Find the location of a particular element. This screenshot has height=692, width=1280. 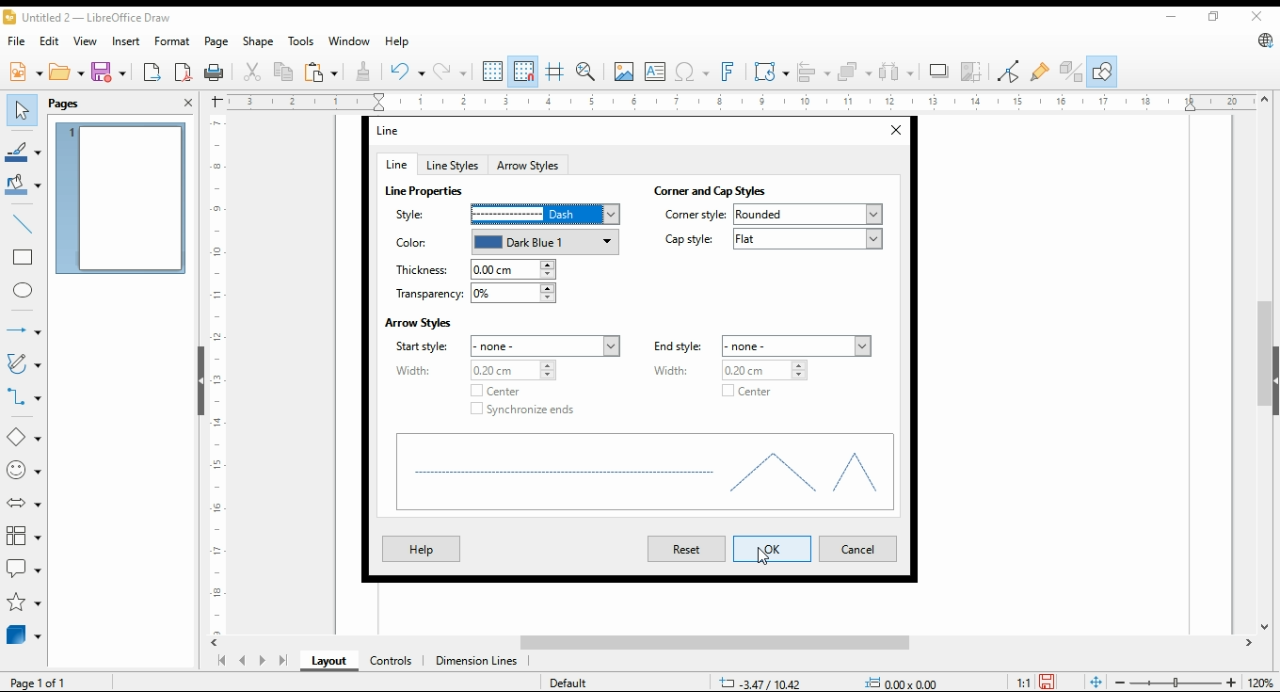

last page is located at coordinates (282, 662).